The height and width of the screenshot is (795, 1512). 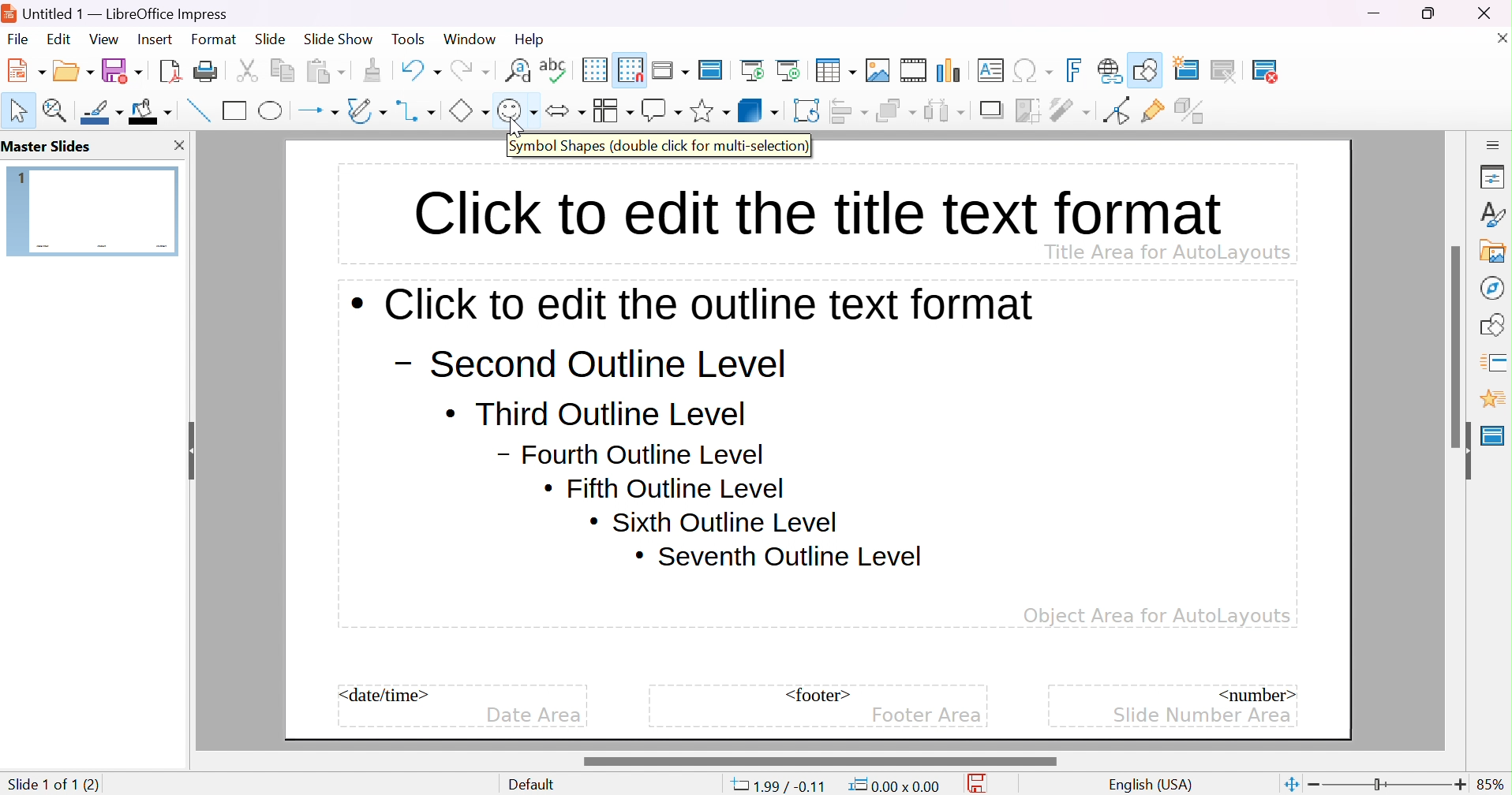 What do you see at coordinates (1458, 345) in the screenshot?
I see `slider` at bounding box center [1458, 345].